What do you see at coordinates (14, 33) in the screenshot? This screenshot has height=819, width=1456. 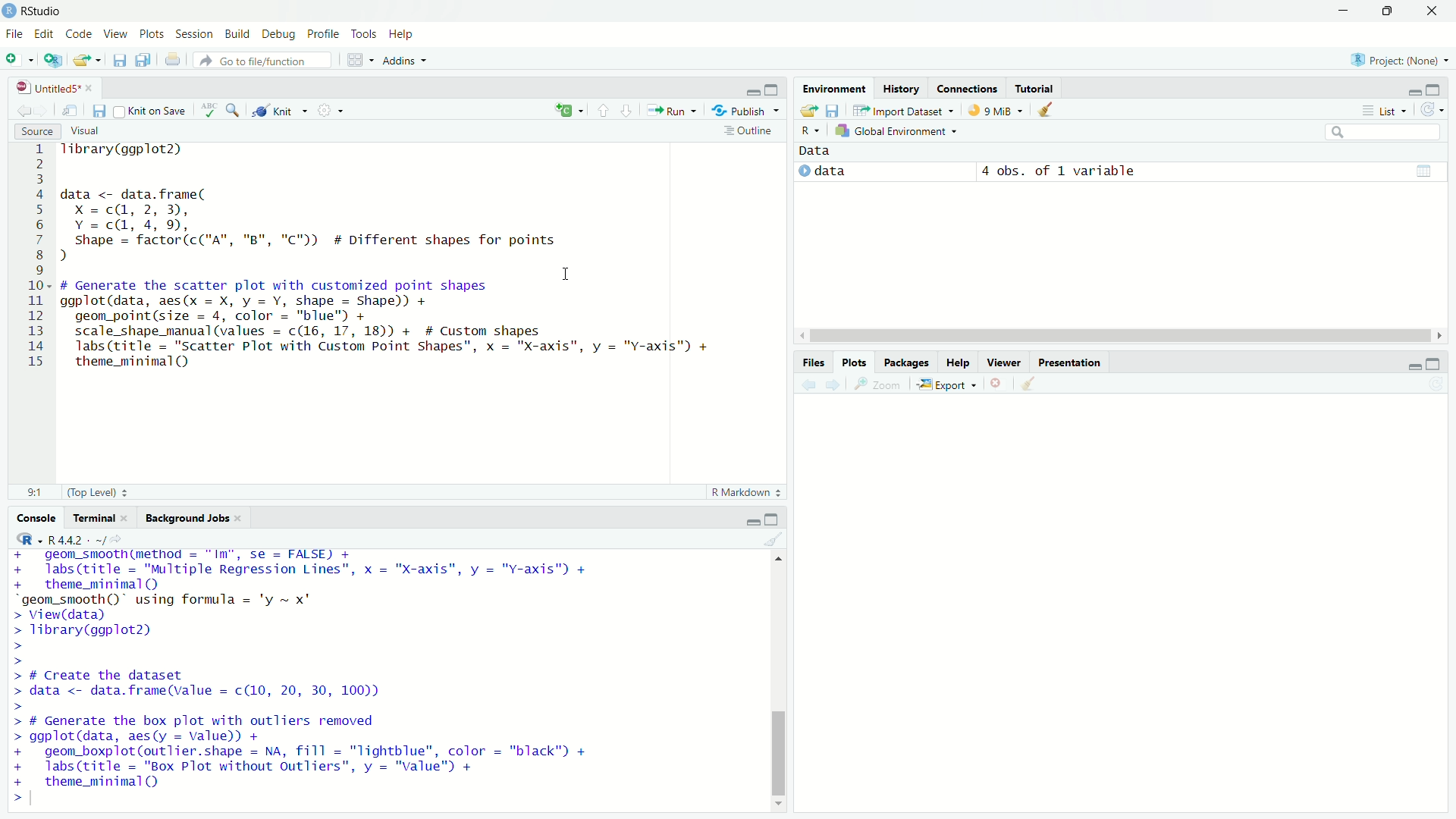 I see `File` at bounding box center [14, 33].